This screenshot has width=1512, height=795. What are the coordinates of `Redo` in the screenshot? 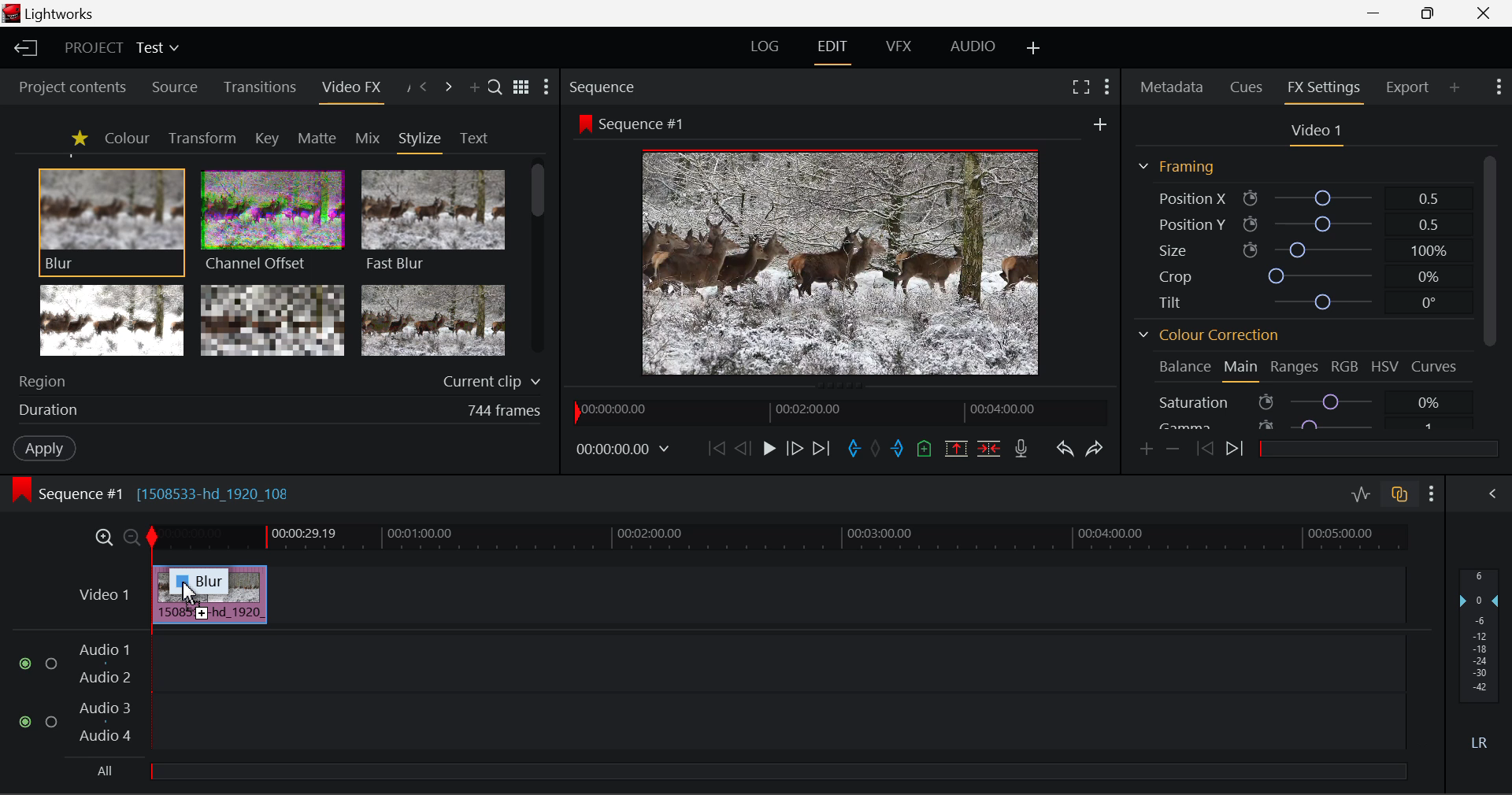 It's located at (1092, 447).